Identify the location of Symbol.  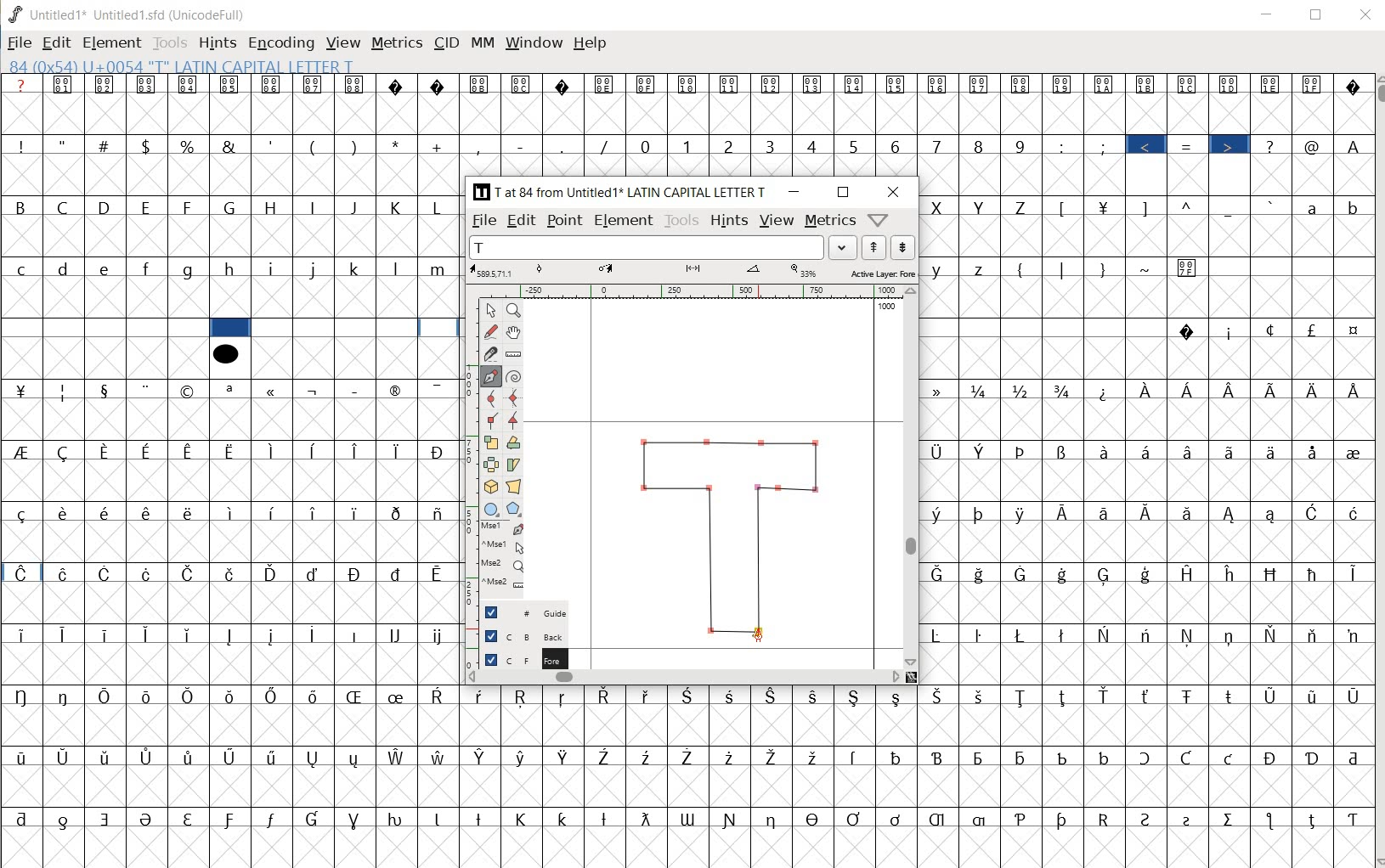
(316, 389).